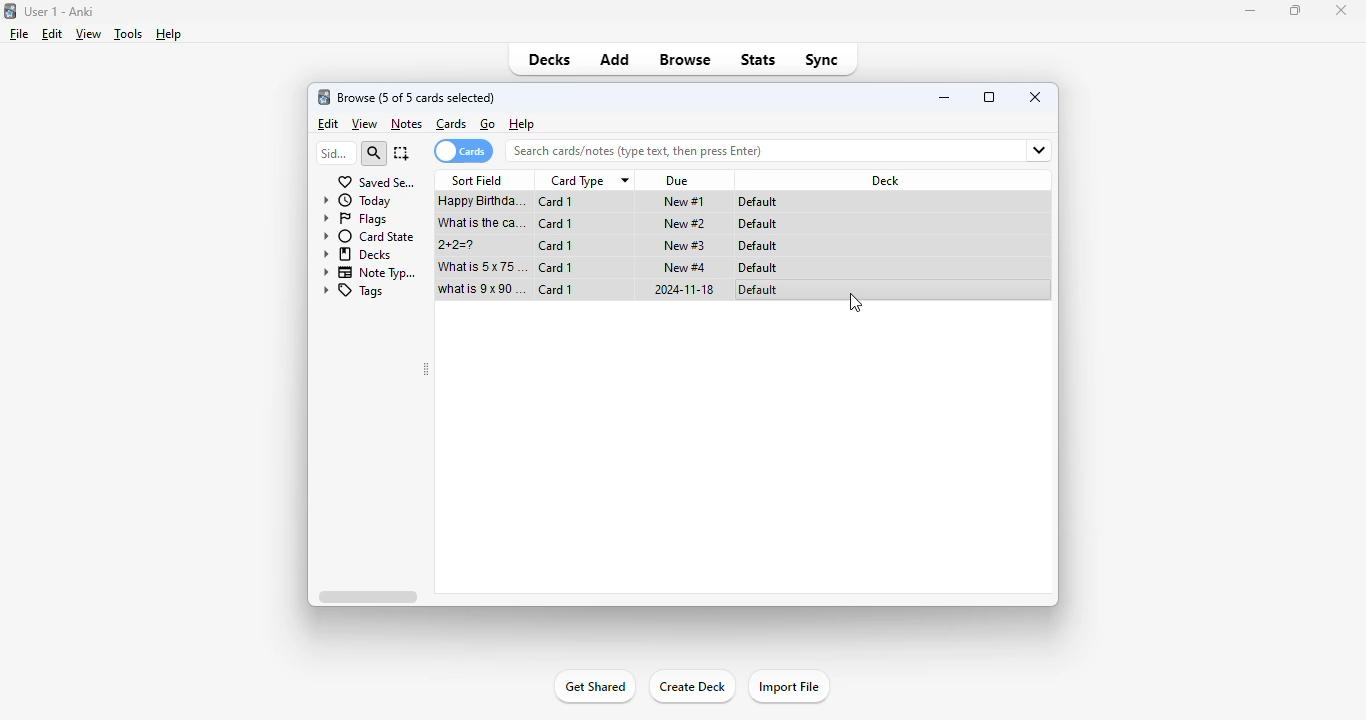  Describe the element at coordinates (365, 124) in the screenshot. I see `view` at that location.